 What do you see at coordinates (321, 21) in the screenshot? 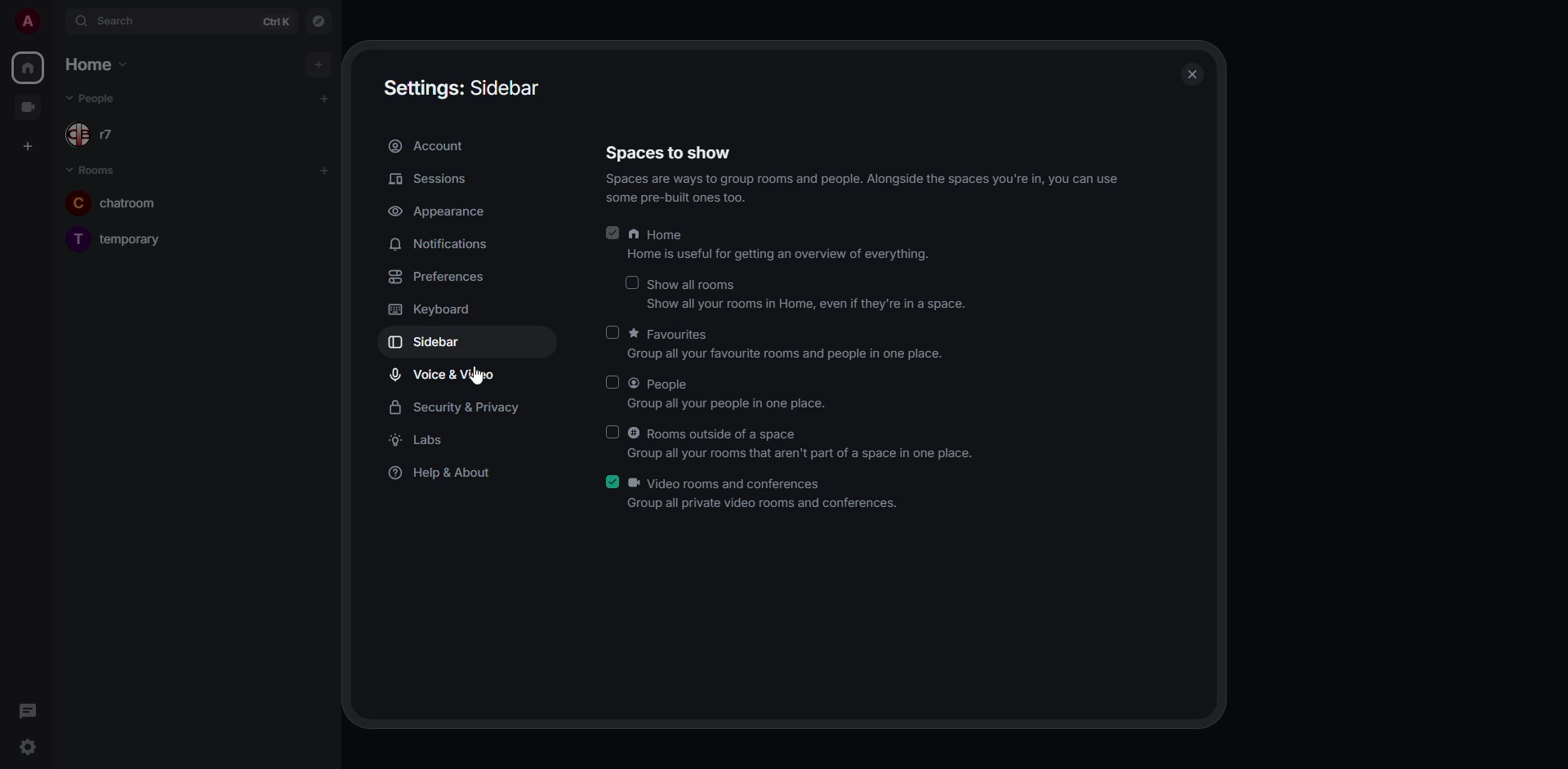
I see `navigator` at bounding box center [321, 21].